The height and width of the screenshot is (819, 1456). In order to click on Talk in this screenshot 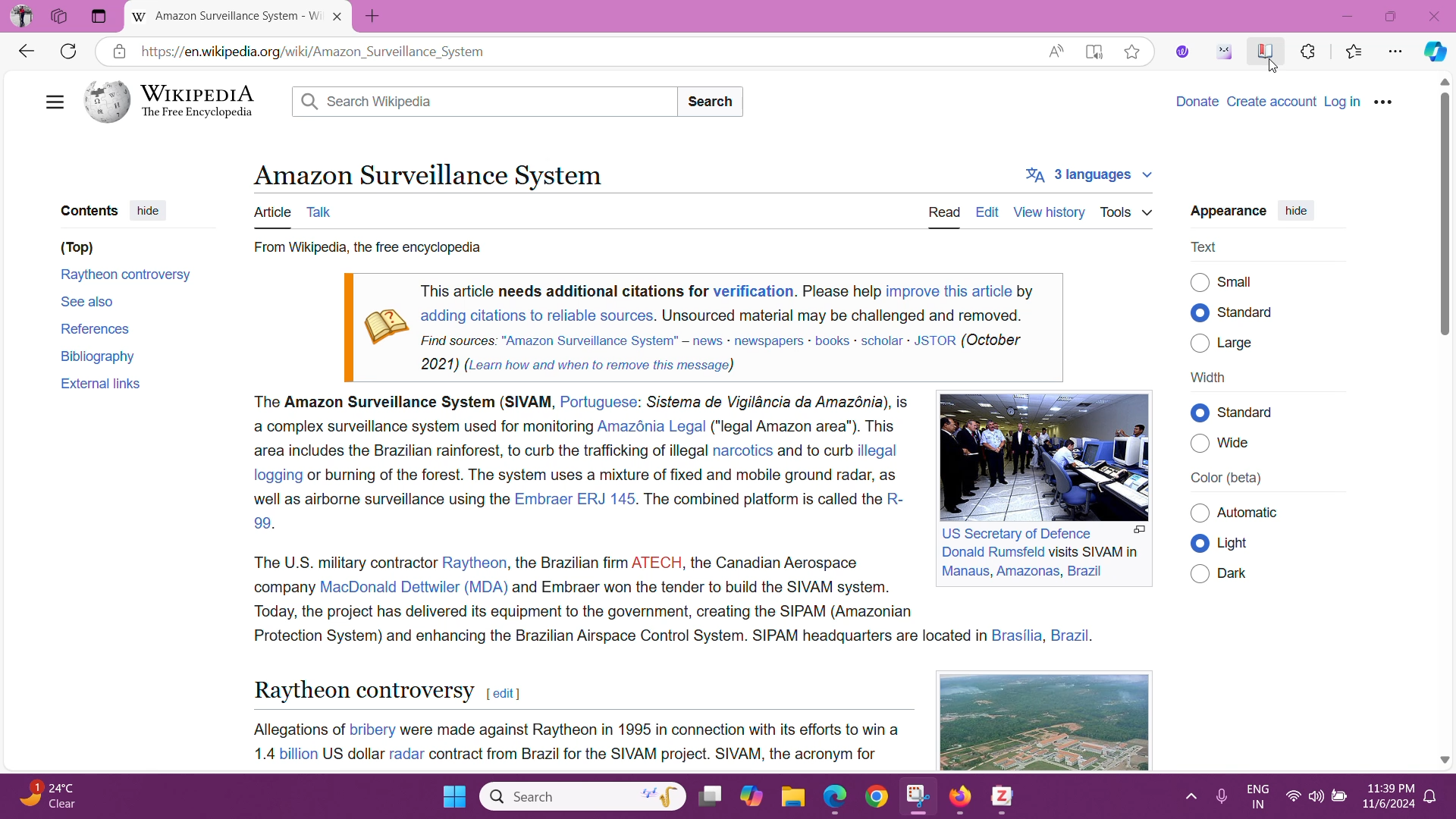, I will do `click(323, 211)`.